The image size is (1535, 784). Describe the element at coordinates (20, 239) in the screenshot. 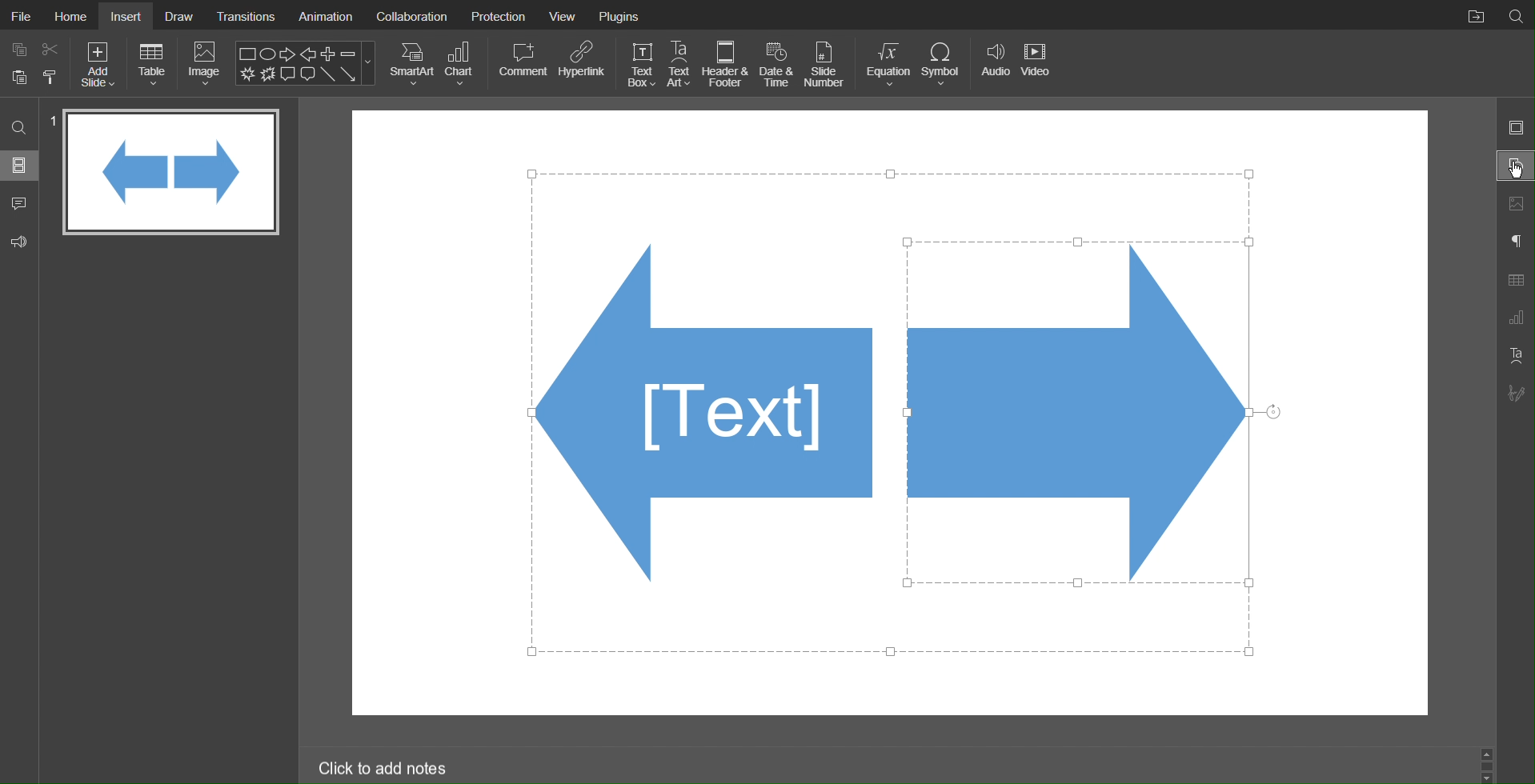

I see `Feedback and Support` at that location.